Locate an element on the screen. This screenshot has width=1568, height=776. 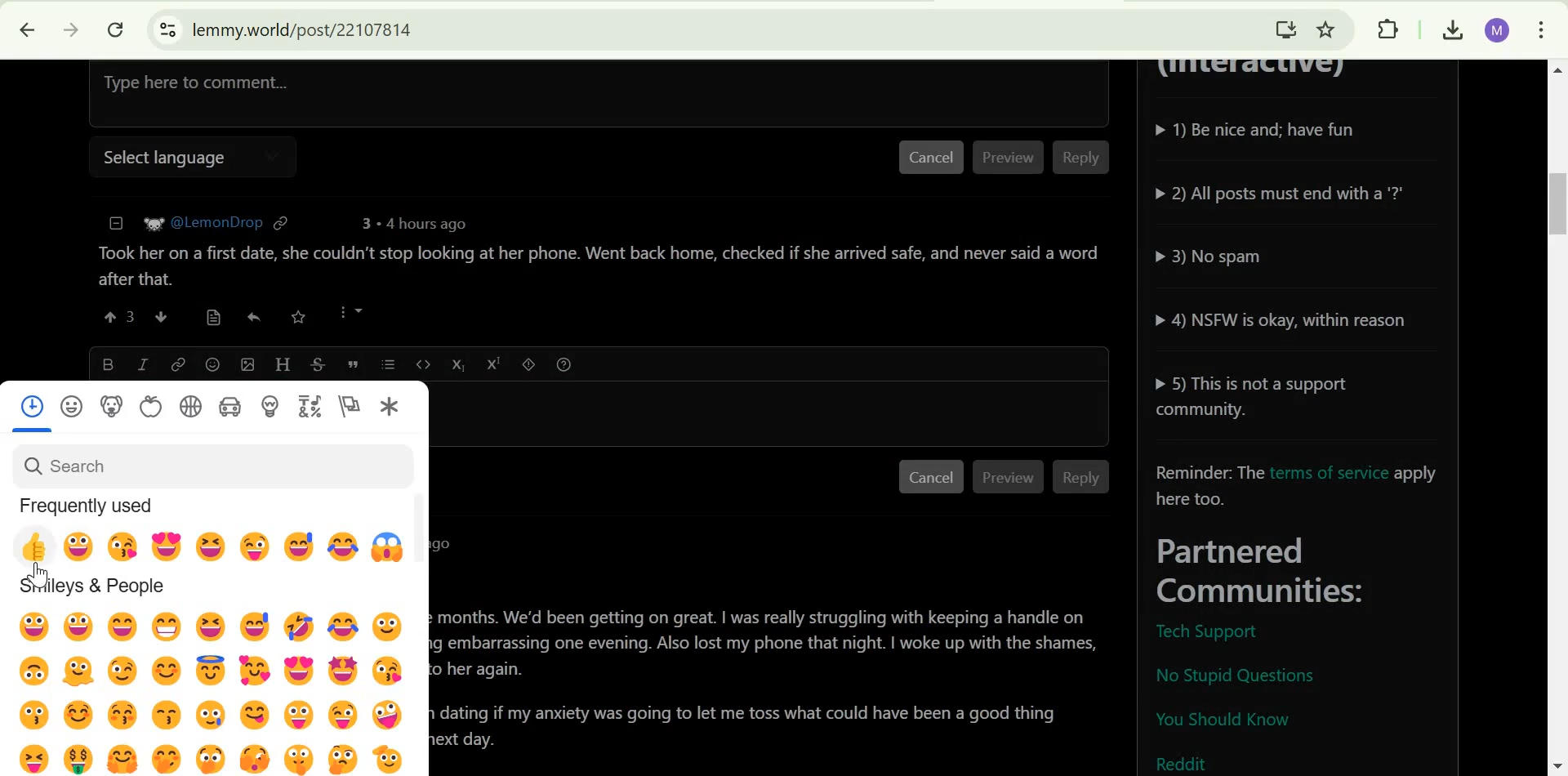
(Interactive) is located at coordinates (1258, 74).